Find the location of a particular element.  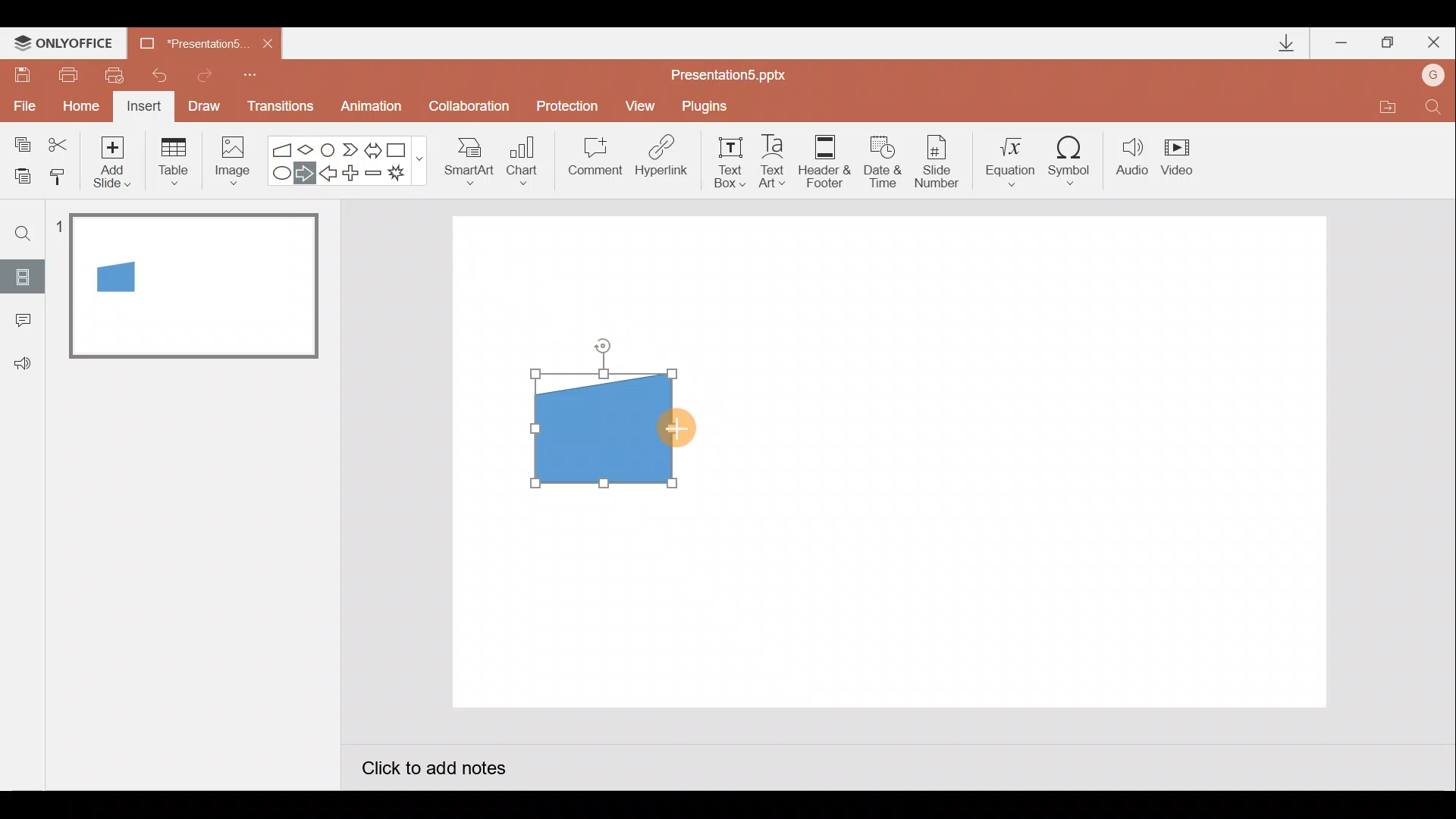

Explosion 1 is located at coordinates (406, 175).